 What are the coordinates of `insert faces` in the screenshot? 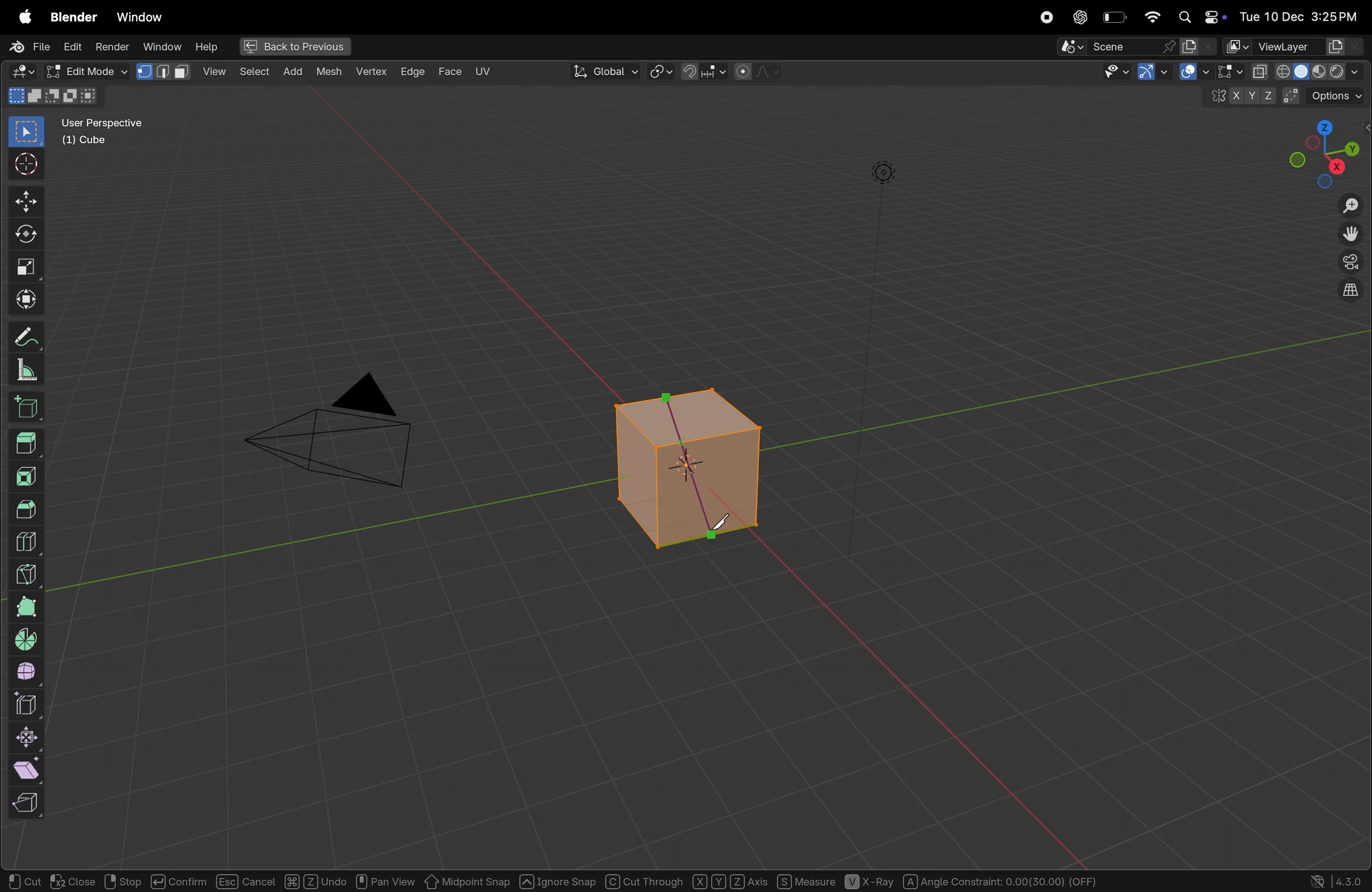 It's located at (29, 475).